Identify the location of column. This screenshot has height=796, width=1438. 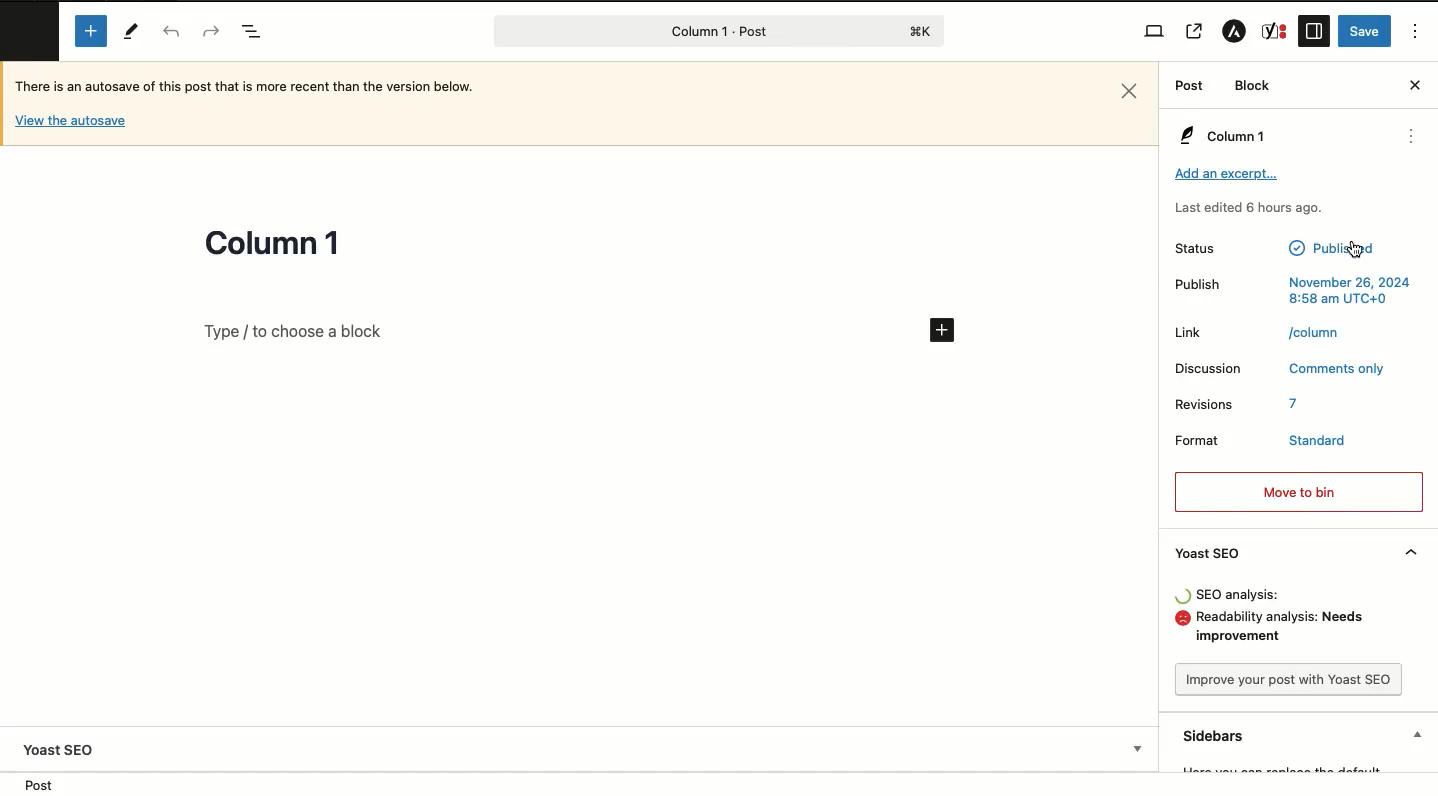
(1317, 332).